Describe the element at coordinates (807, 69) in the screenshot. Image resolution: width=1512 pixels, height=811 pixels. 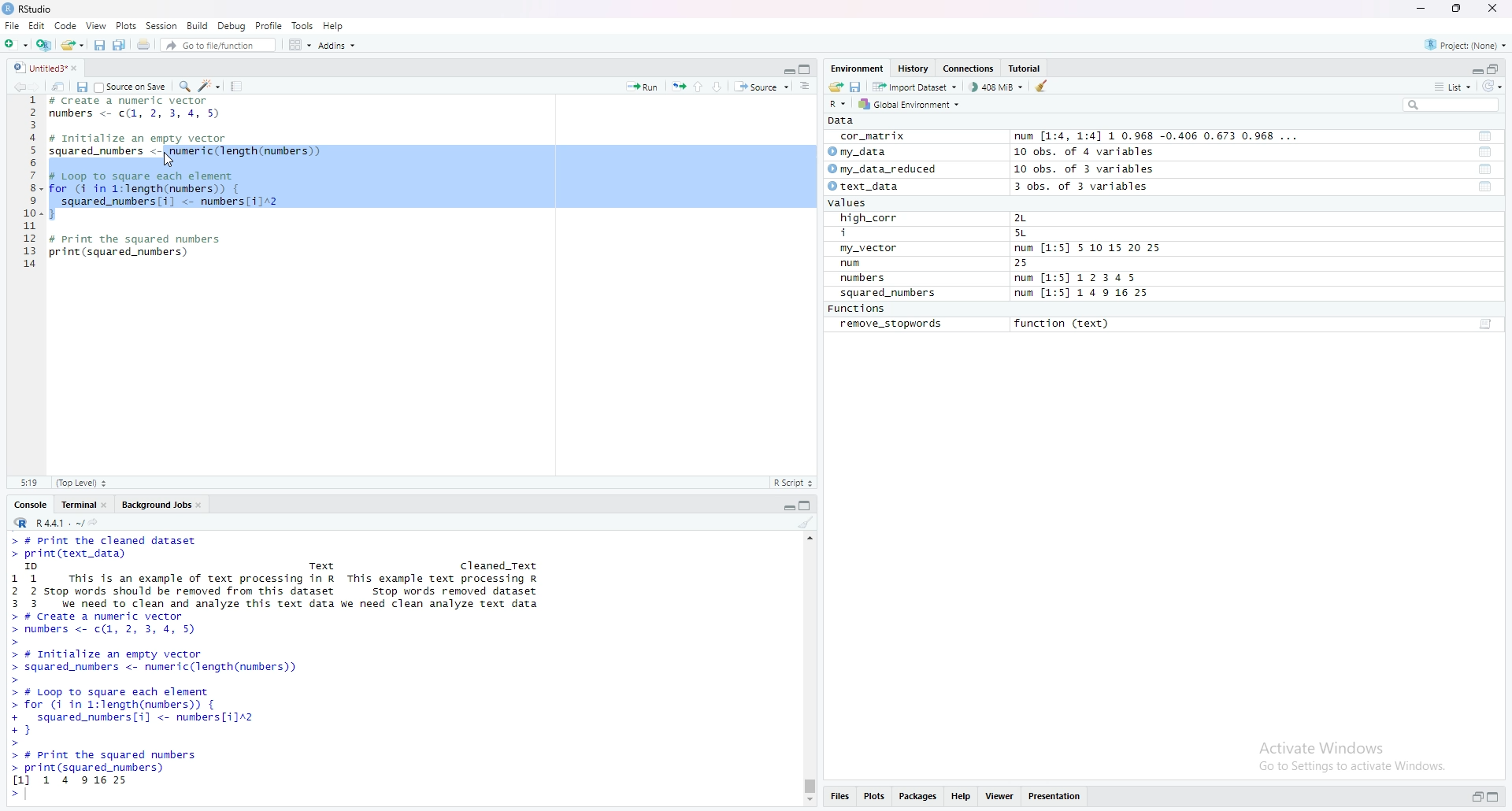
I see `maximize` at that location.